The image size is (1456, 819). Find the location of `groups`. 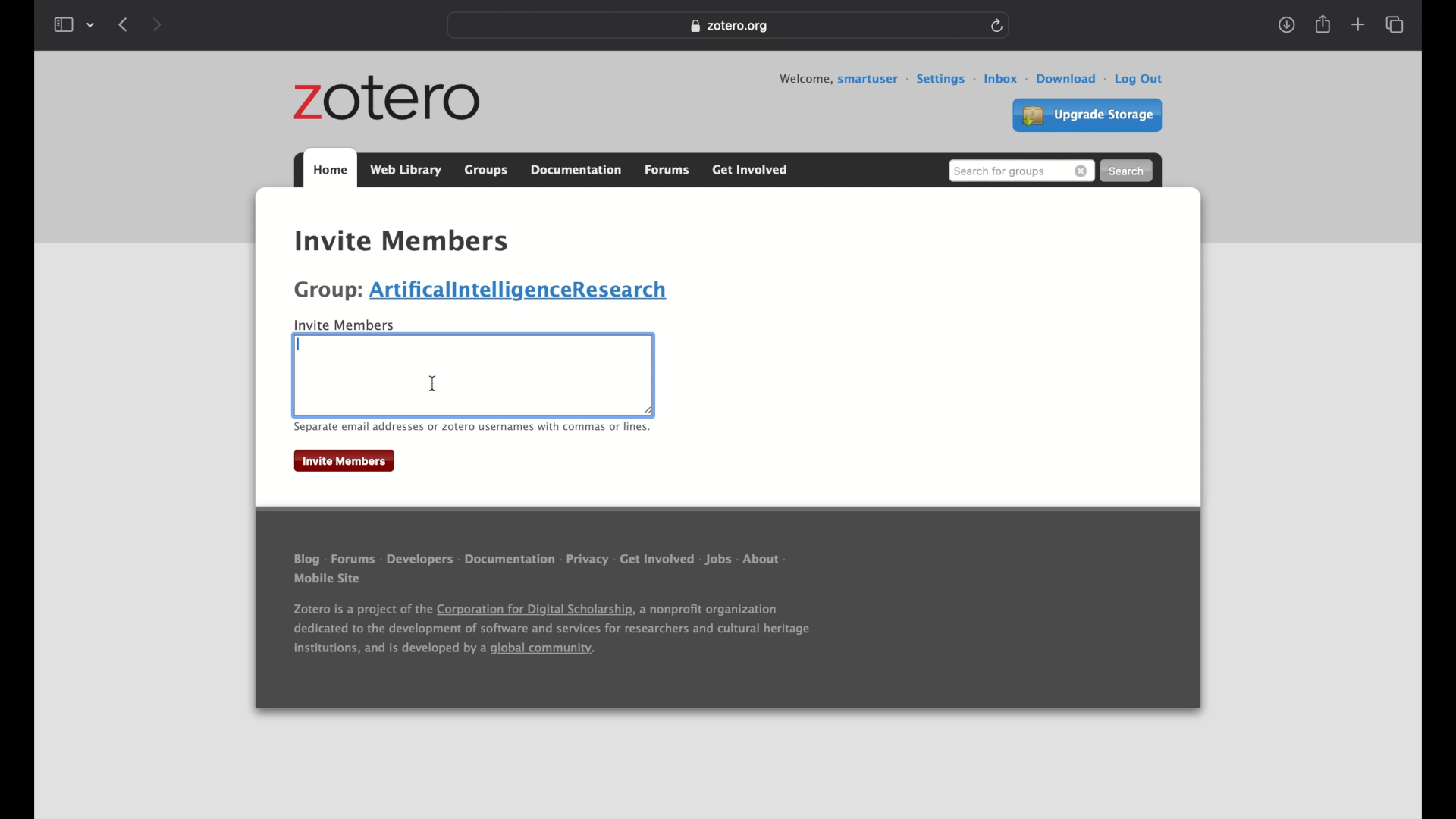

groups is located at coordinates (369, 212).